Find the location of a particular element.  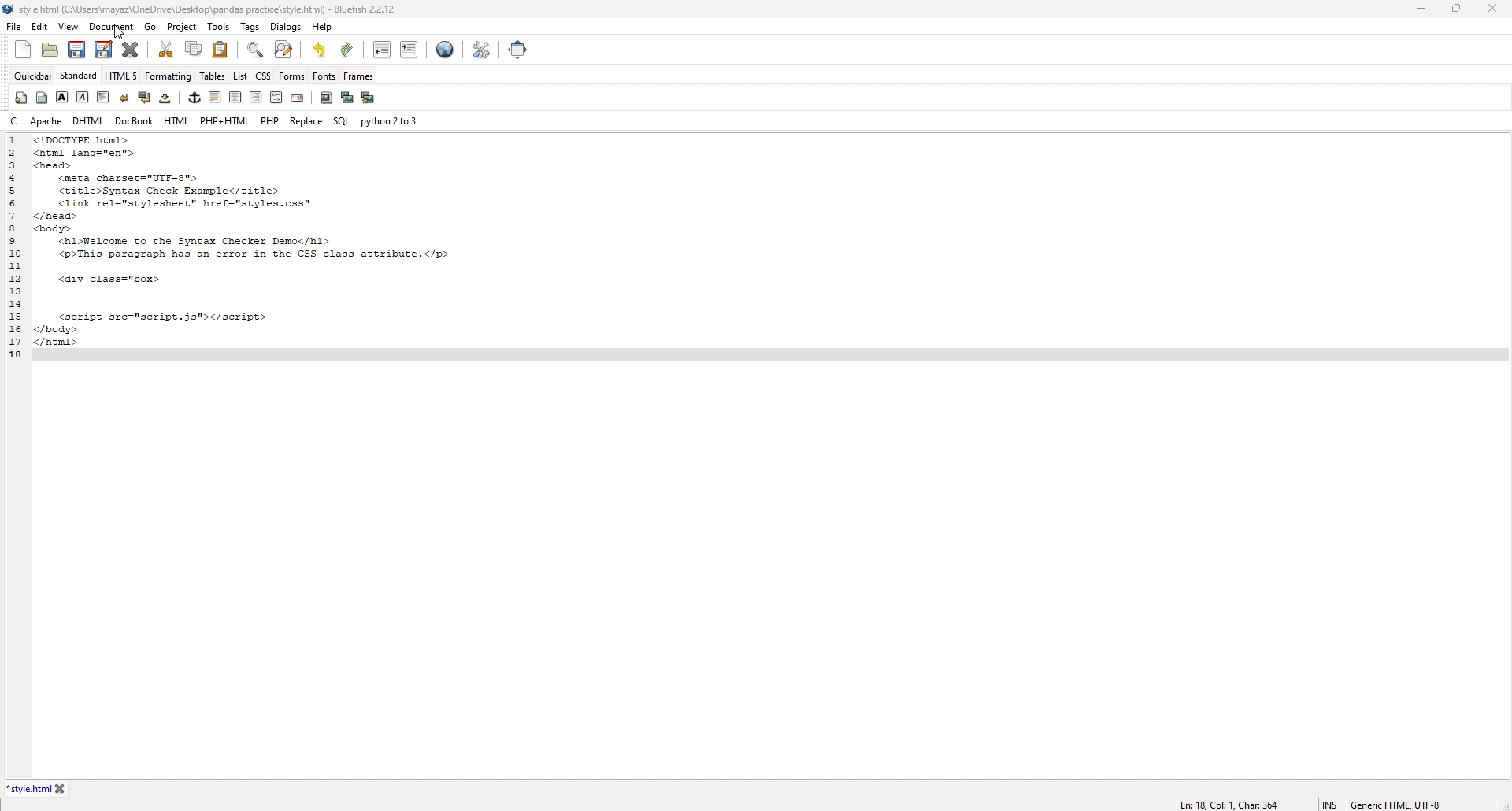

description is located at coordinates (1230, 804).